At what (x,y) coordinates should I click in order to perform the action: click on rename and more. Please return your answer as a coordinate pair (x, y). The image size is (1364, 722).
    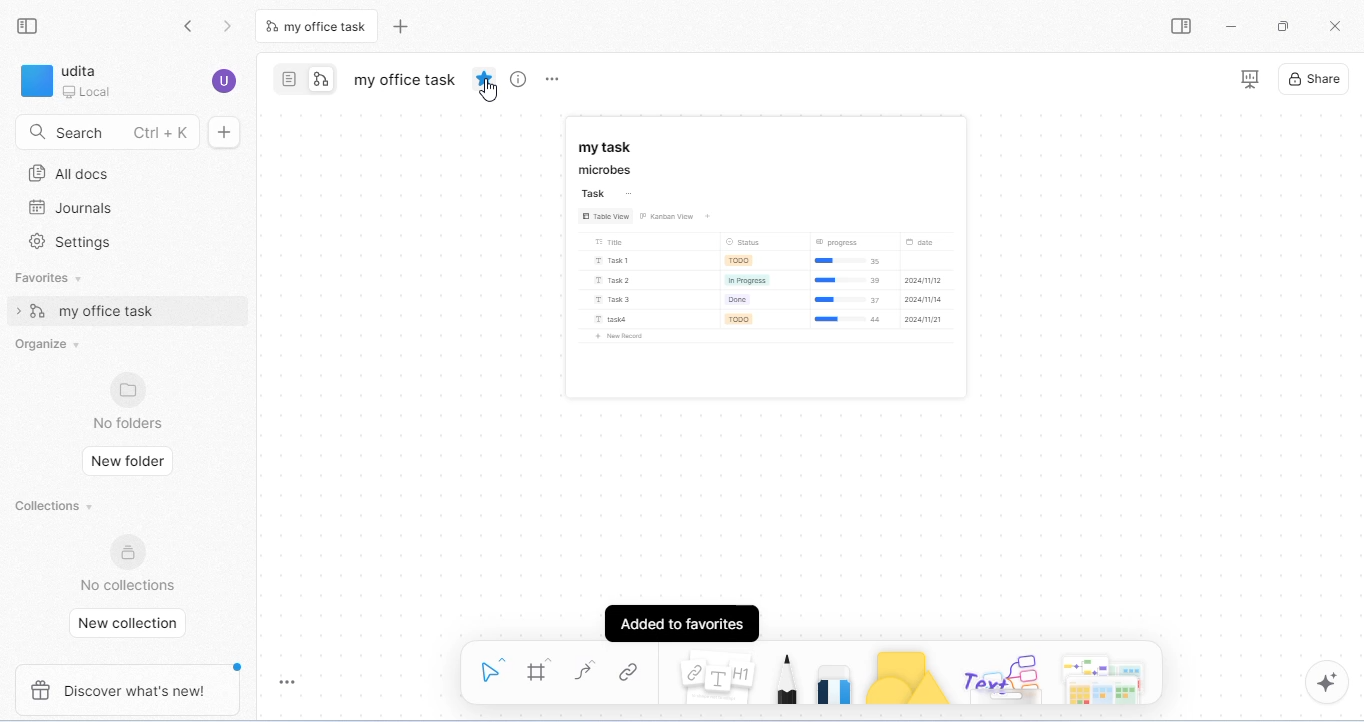
    Looking at the image, I should click on (553, 80).